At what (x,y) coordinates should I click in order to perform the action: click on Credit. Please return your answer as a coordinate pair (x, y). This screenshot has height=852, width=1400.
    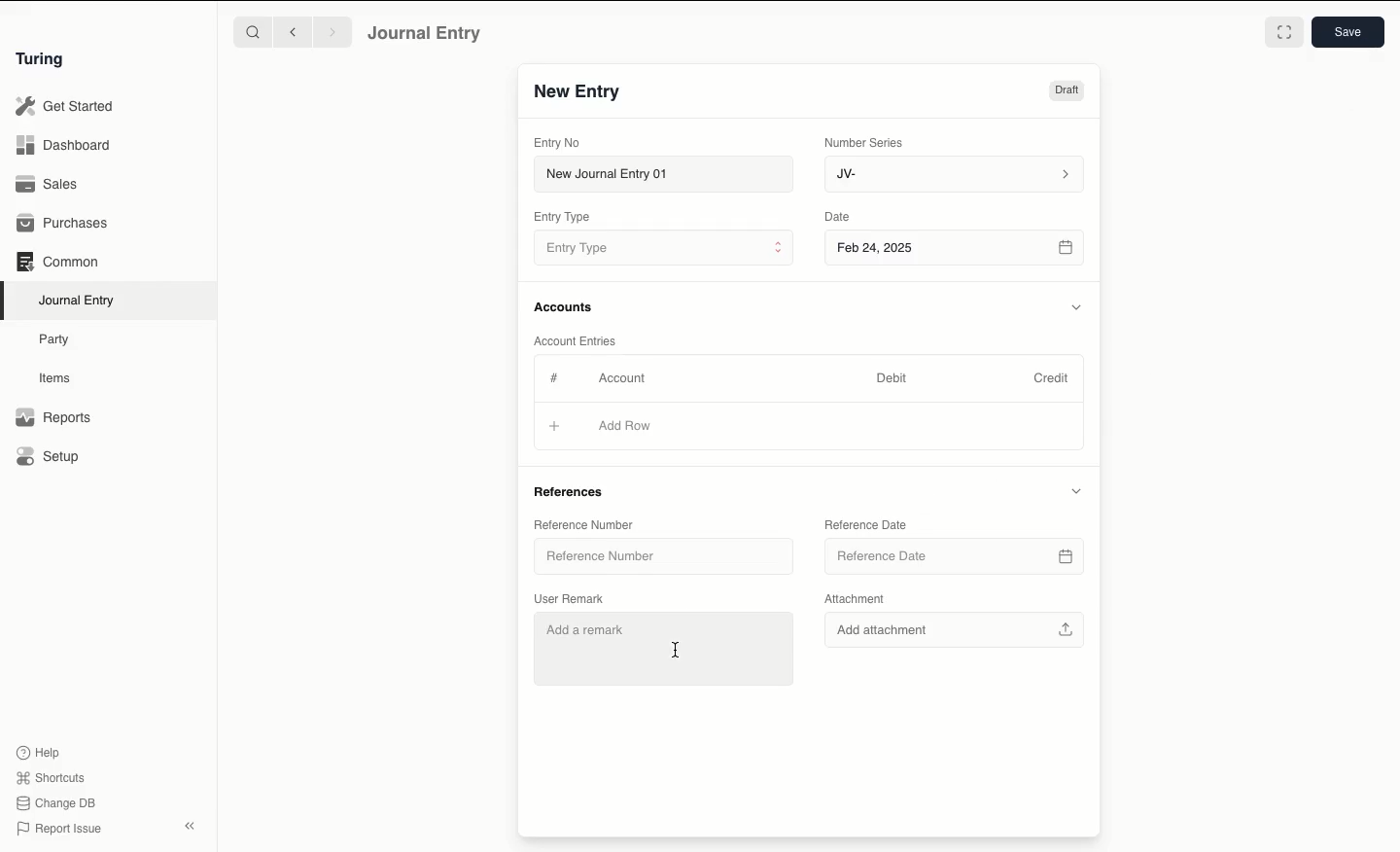
    Looking at the image, I should click on (1053, 378).